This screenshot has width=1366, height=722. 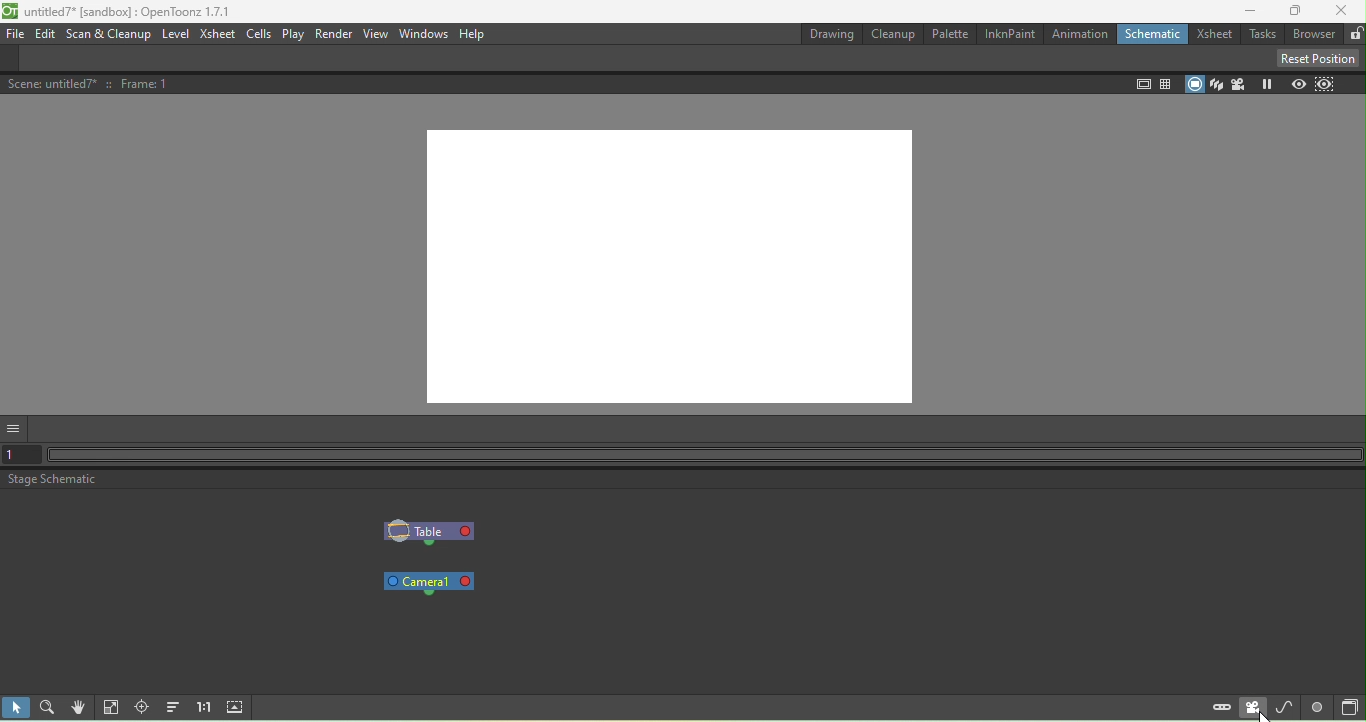 What do you see at coordinates (1343, 13) in the screenshot?
I see `Close` at bounding box center [1343, 13].